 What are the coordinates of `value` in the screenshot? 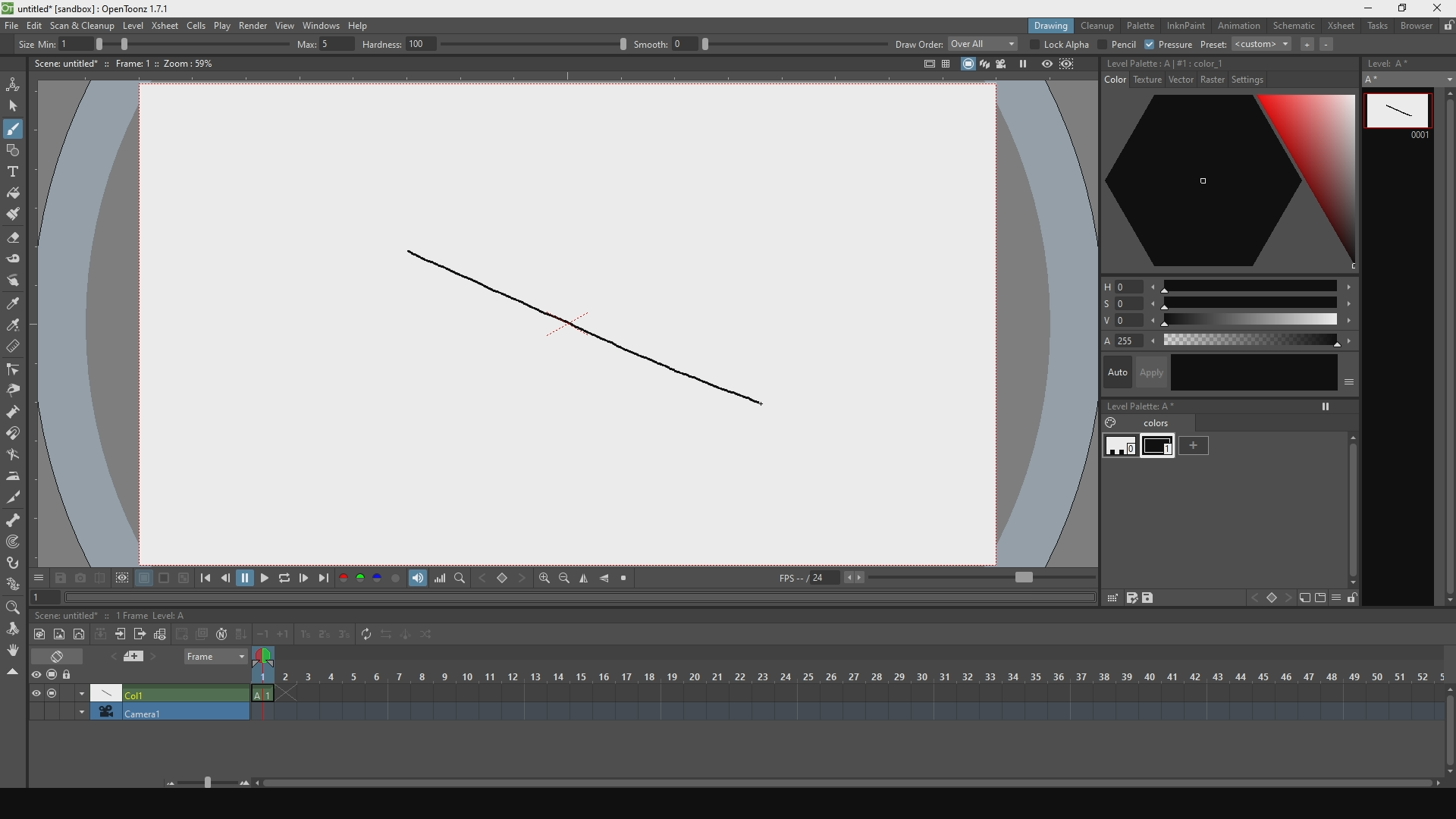 It's located at (1234, 321).